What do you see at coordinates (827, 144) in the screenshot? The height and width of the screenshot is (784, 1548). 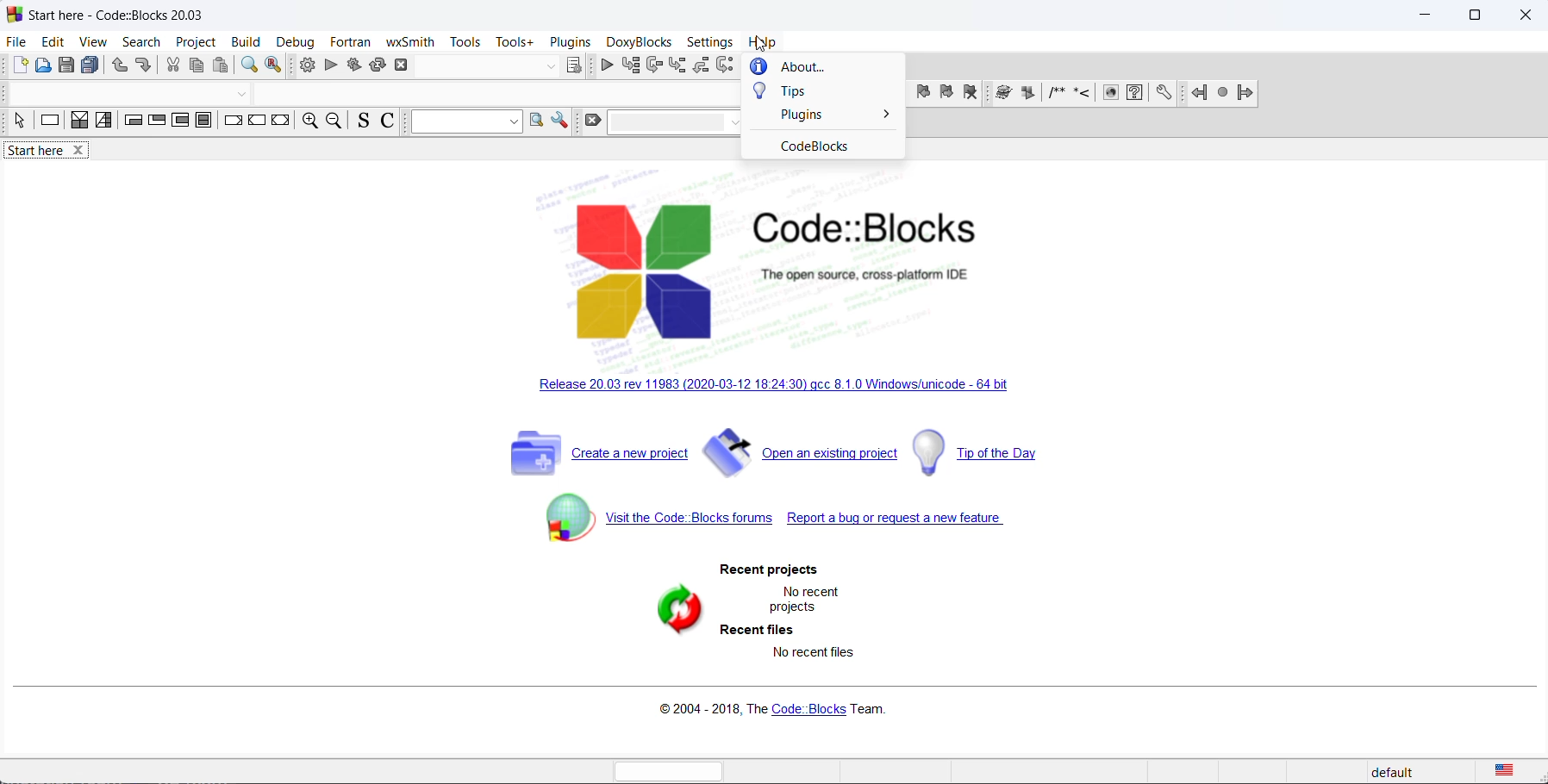 I see `codeblocks` at bounding box center [827, 144].